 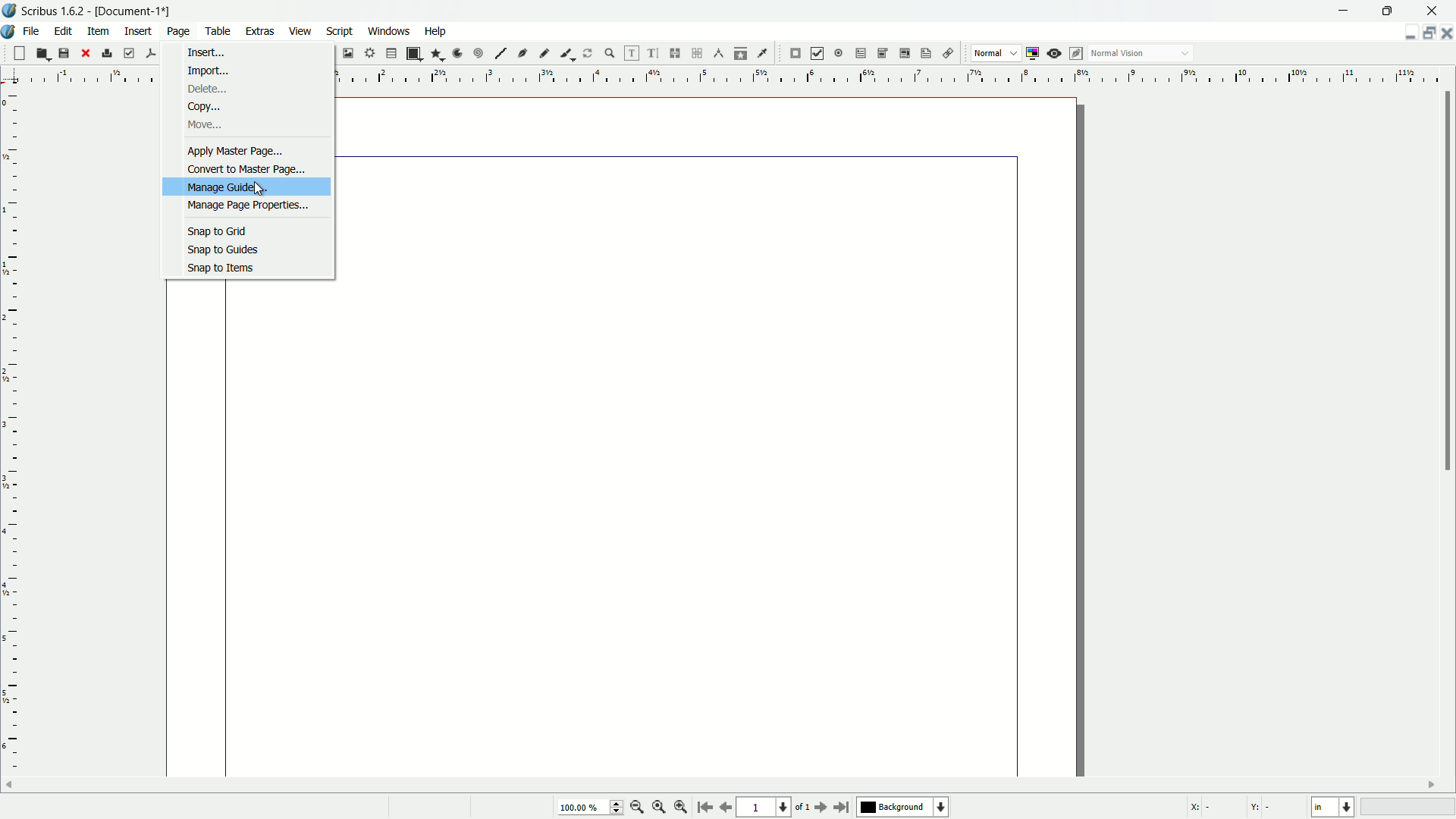 I want to click on insert menu, so click(x=139, y=30).